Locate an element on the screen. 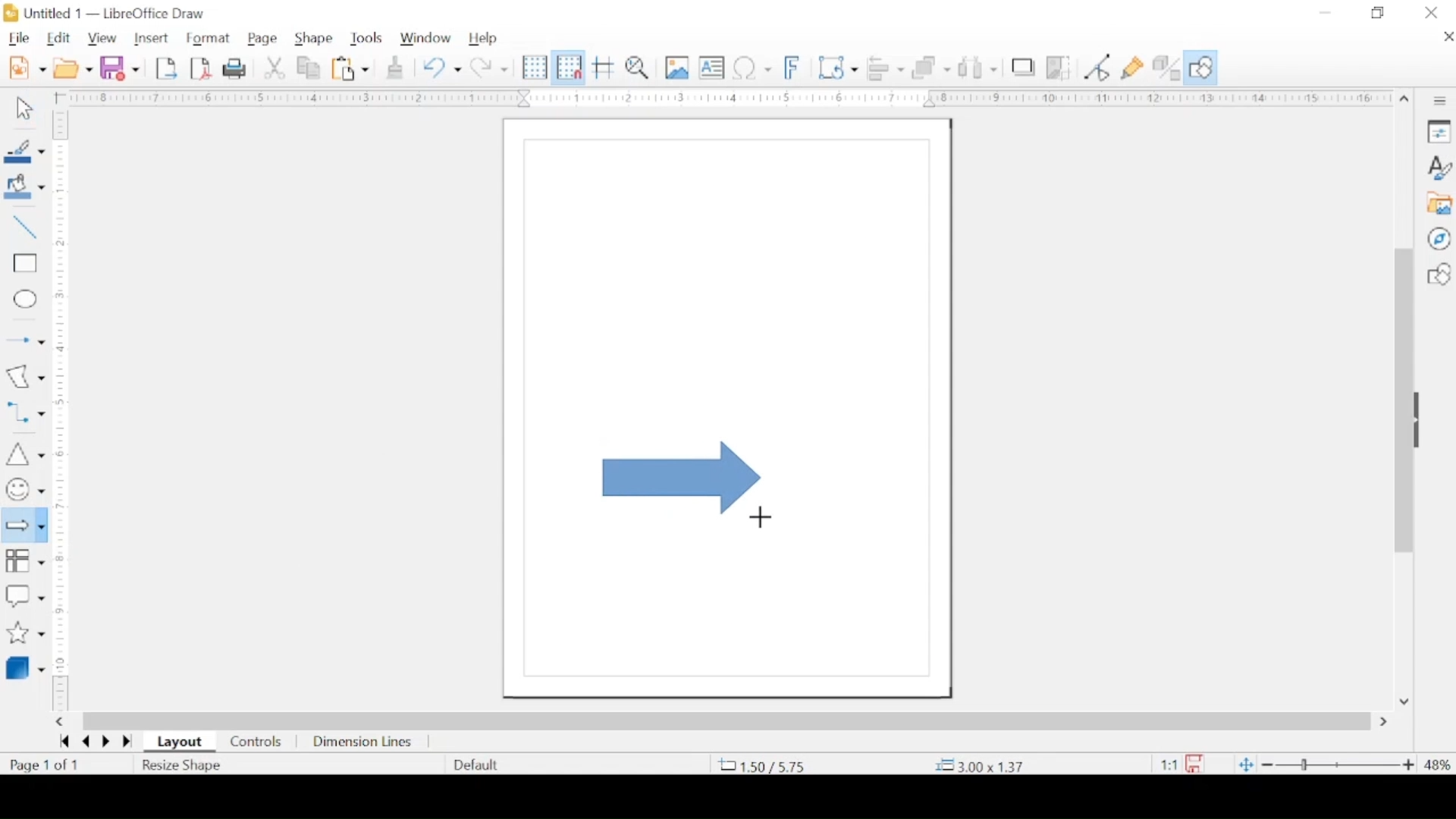  insert line is located at coordinates (25, 227).